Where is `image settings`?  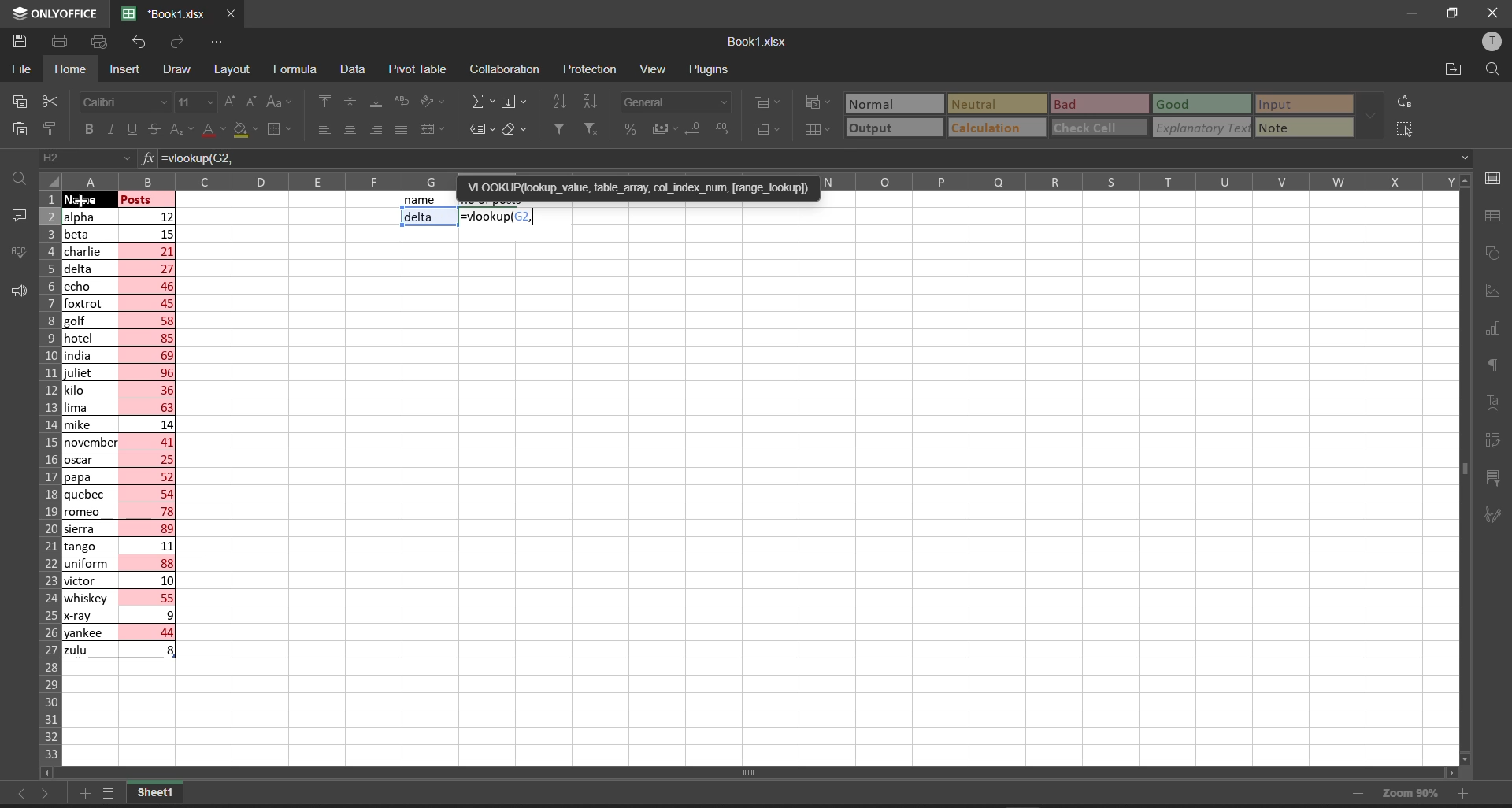
image settings is located at coordinates (1494, 294).